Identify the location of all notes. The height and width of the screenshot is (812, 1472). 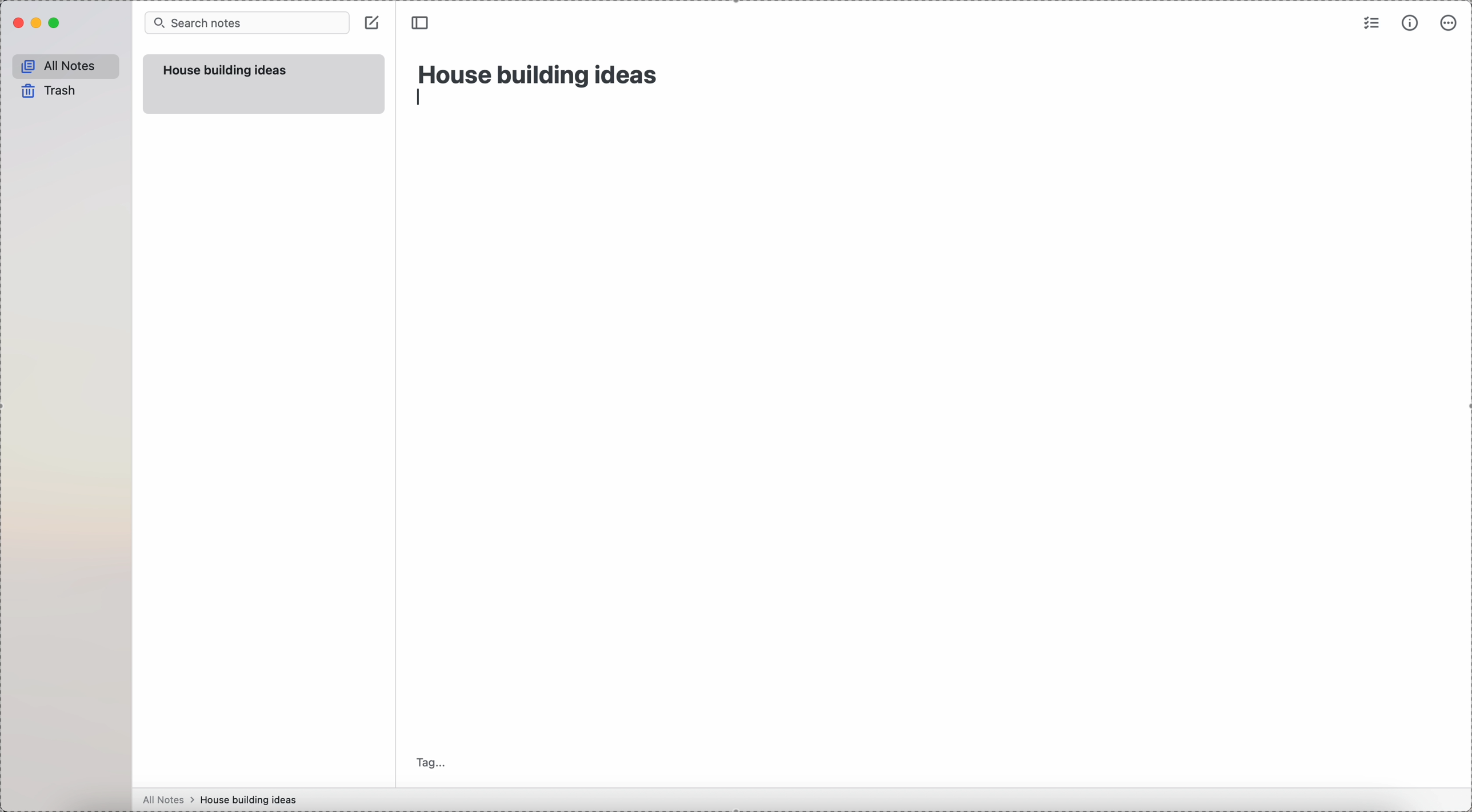
(66, 66).